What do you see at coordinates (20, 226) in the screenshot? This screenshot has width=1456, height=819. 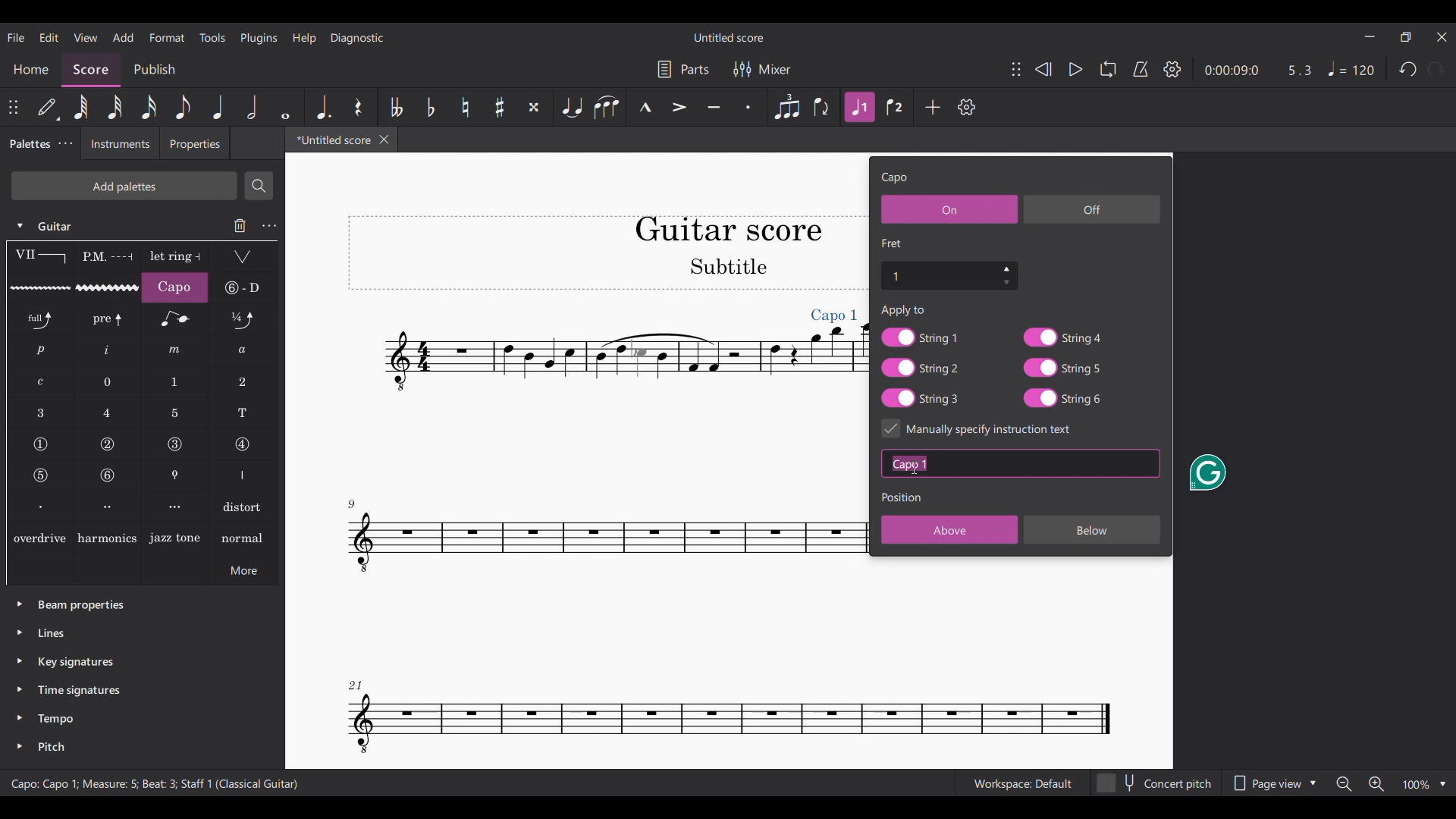 I see `Click to collapse ` at bounding box center [20, 226].